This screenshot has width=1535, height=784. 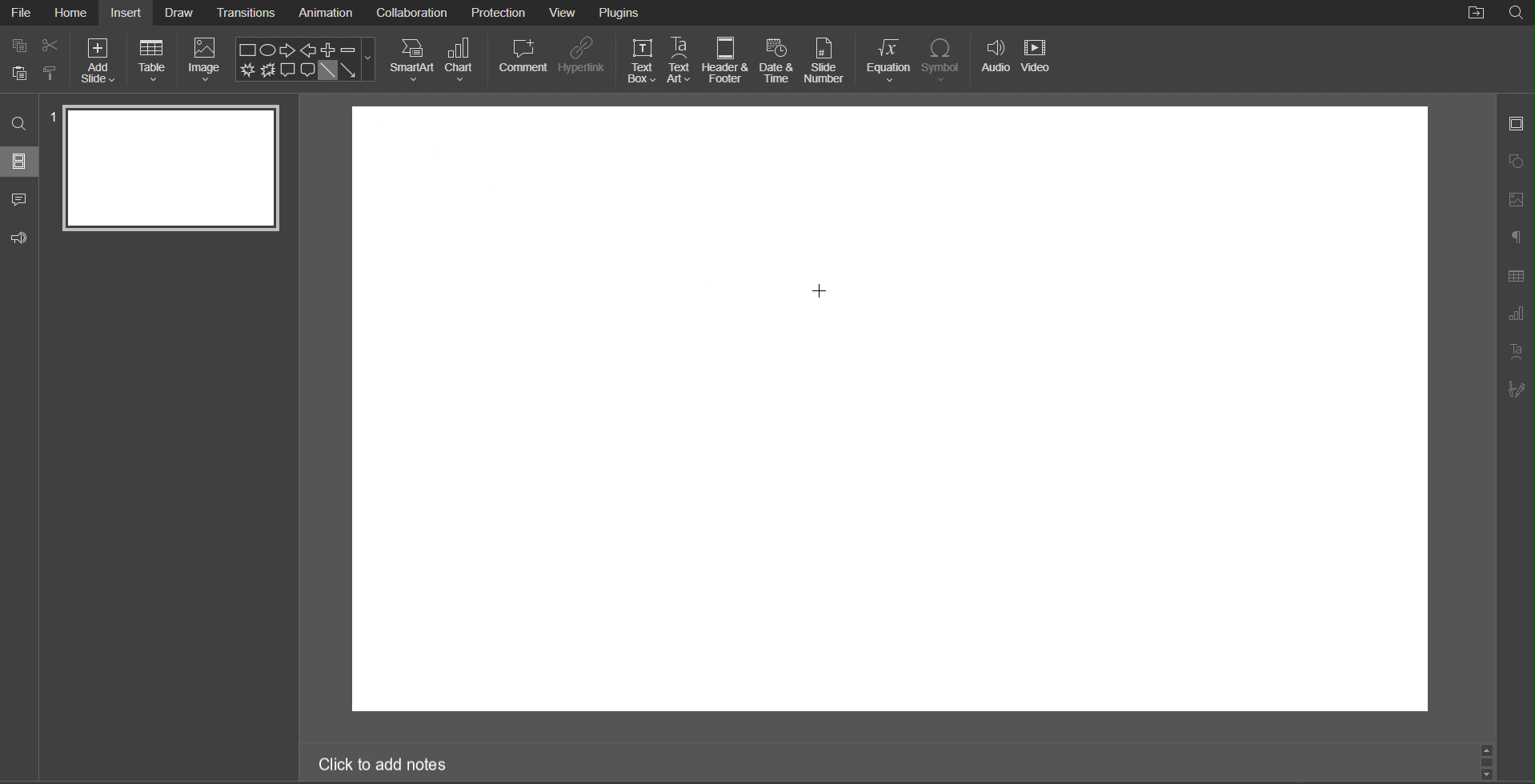 I want to click on Text Box, so click(x=639, y=59).